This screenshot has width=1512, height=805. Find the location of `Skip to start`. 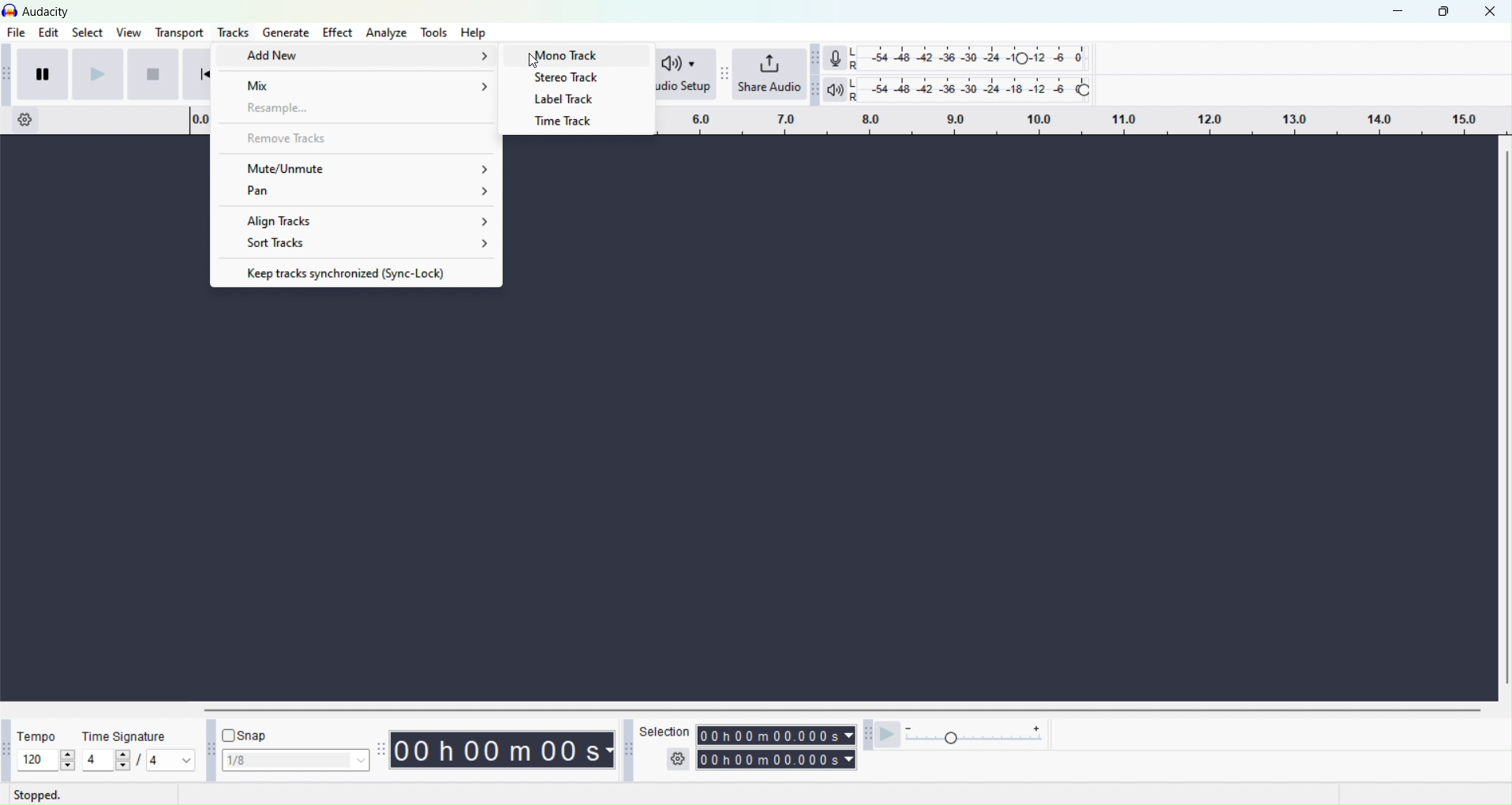

Skip to start is located at coordinates (153, 74).